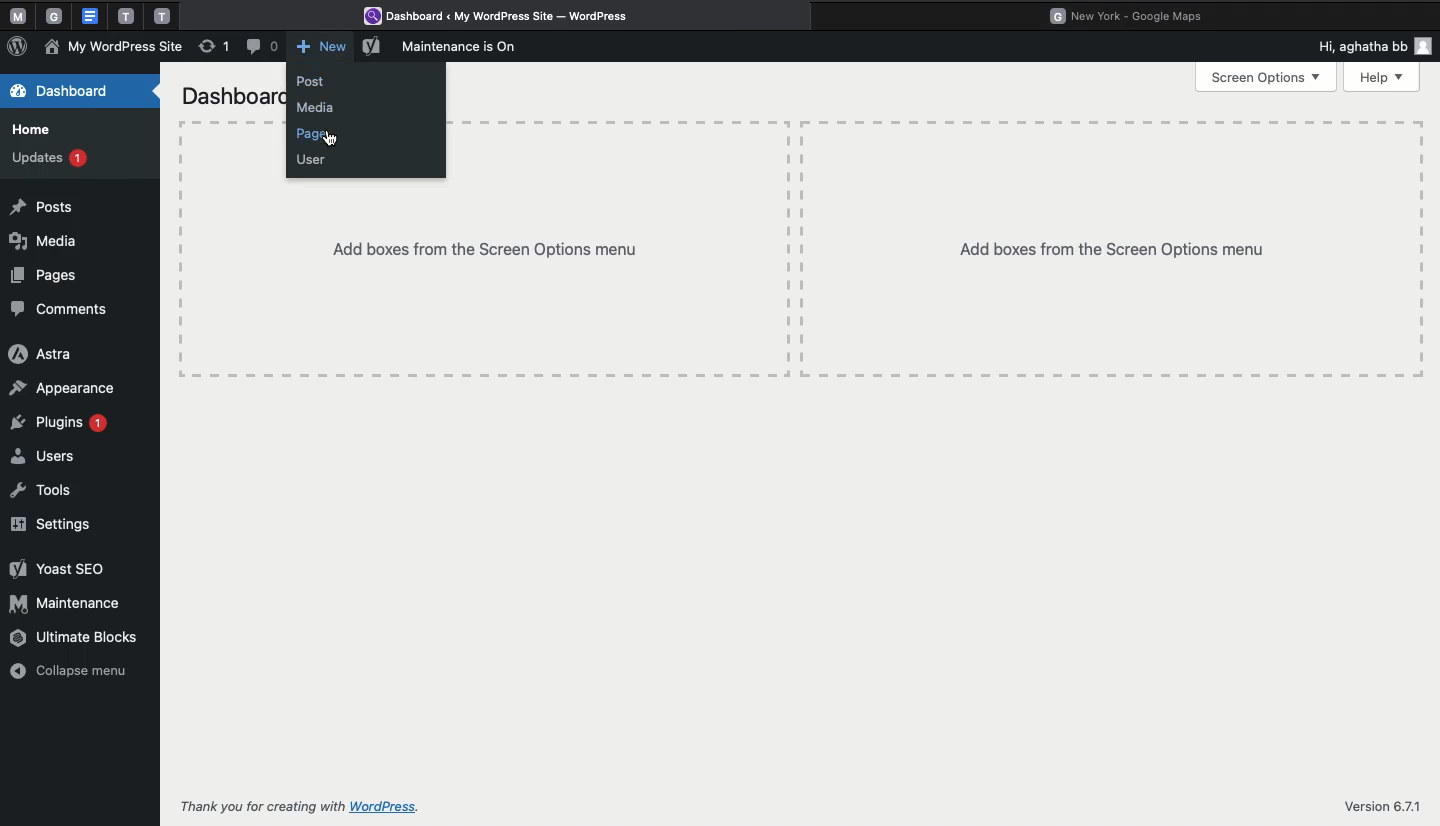 This screenshot has width=1440, height=826. What do you see at coordinates (479, 281) in the screenshot?
I see `add boxes from the screen option menu` at bounding box center [479, 281].